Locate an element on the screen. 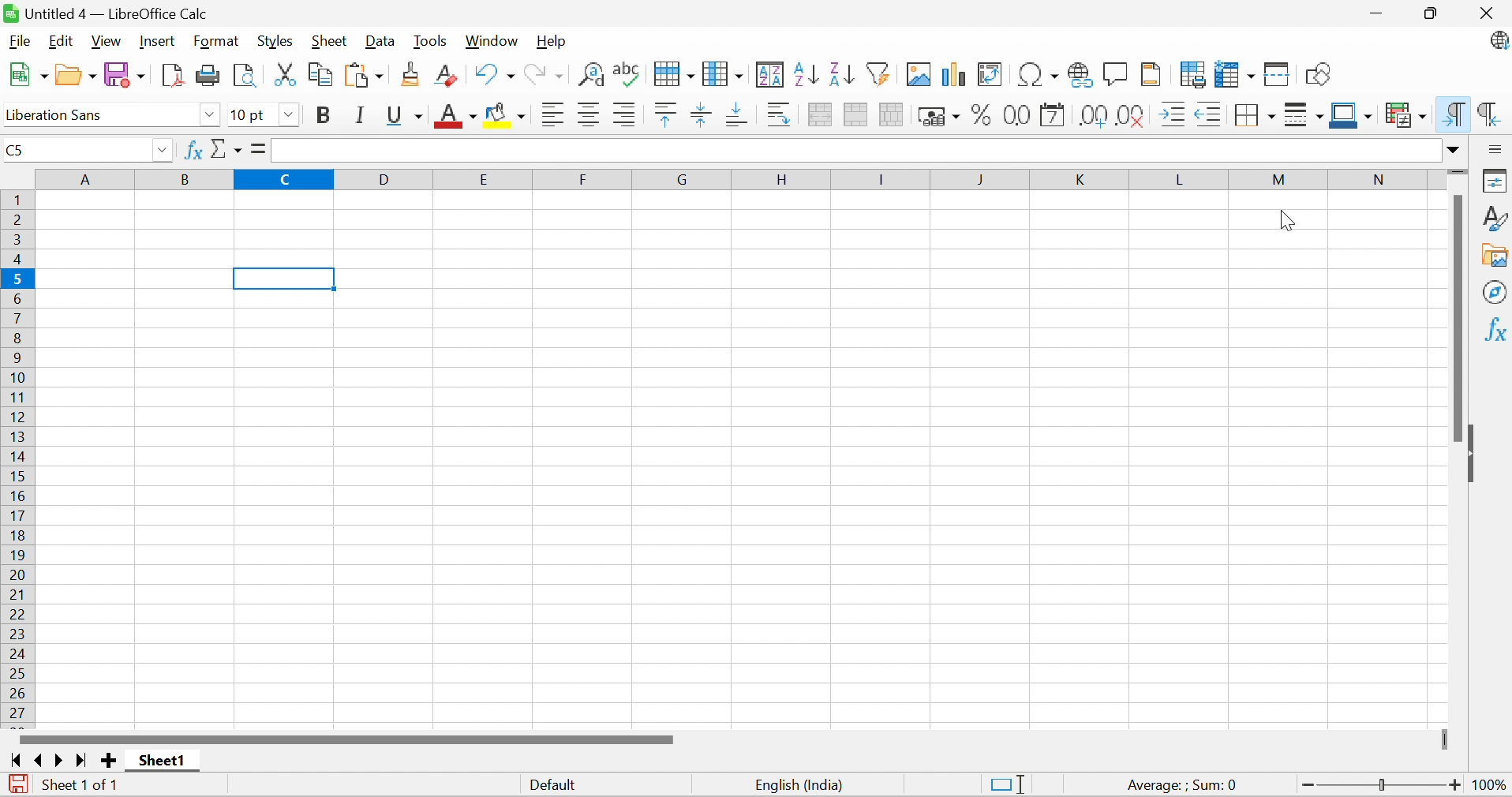  Format as date is located at coordinates (1053, 118).